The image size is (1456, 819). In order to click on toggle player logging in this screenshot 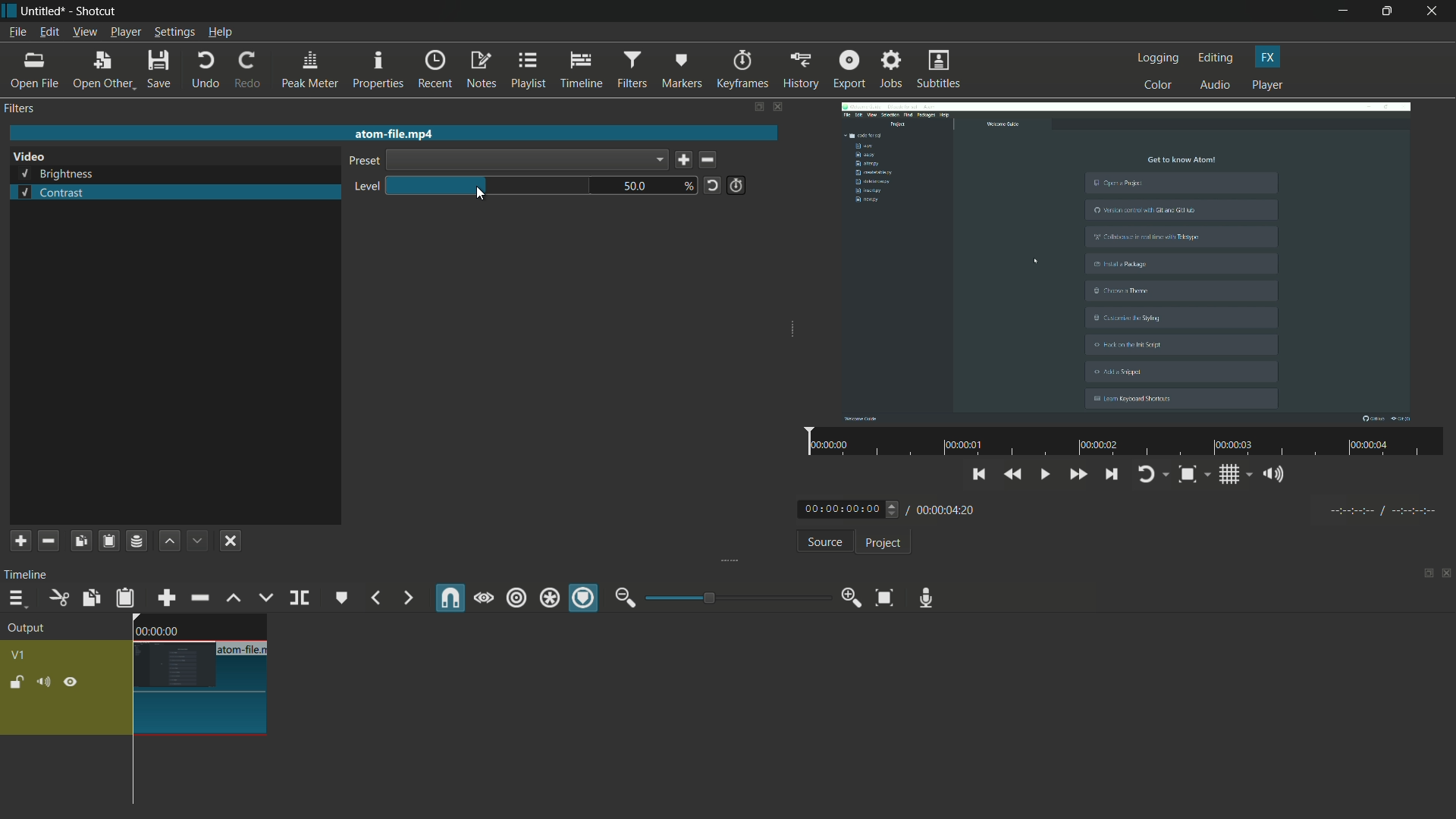, I will do `click(1153, 474)`.